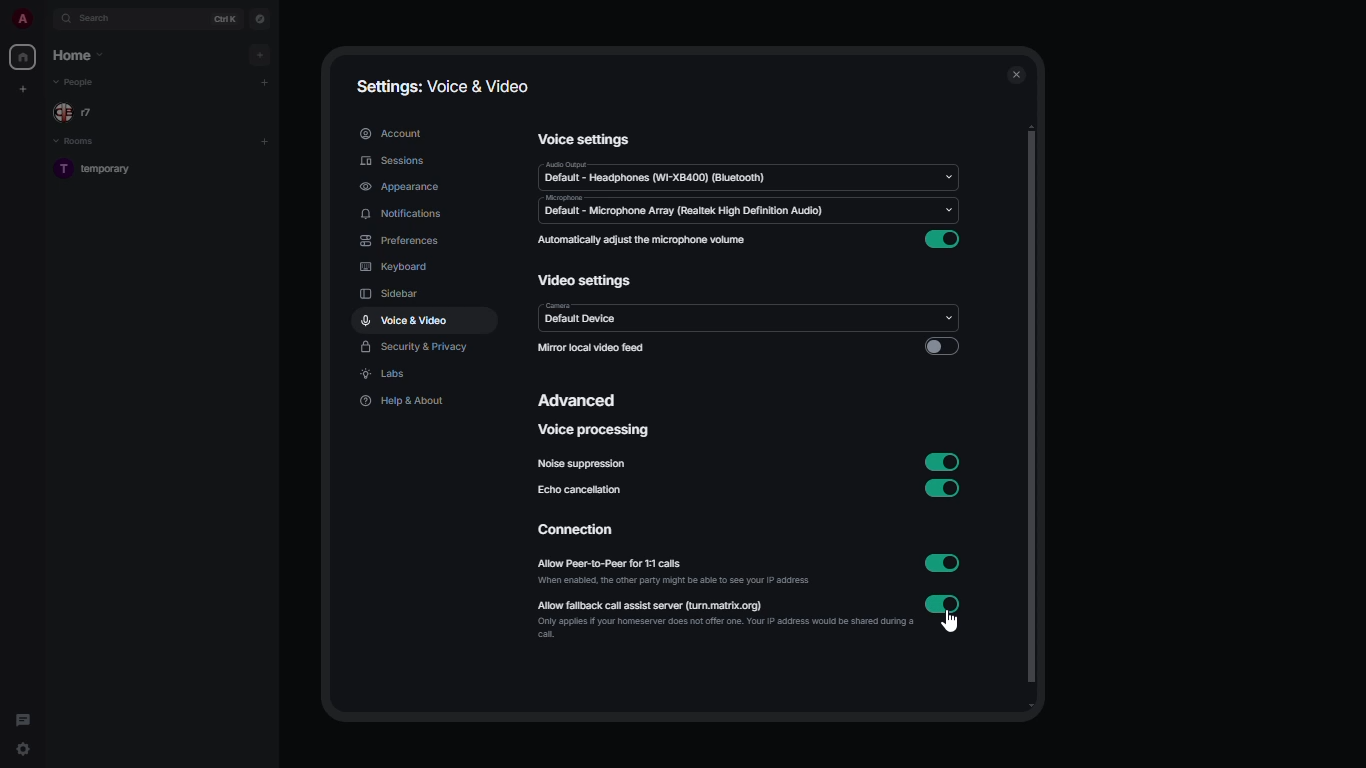 Image resolution: width=1366 pixels, height=768 pixels. Describe the element at coordinates (21, 718) in the screenshot. I see `threads` at that location.